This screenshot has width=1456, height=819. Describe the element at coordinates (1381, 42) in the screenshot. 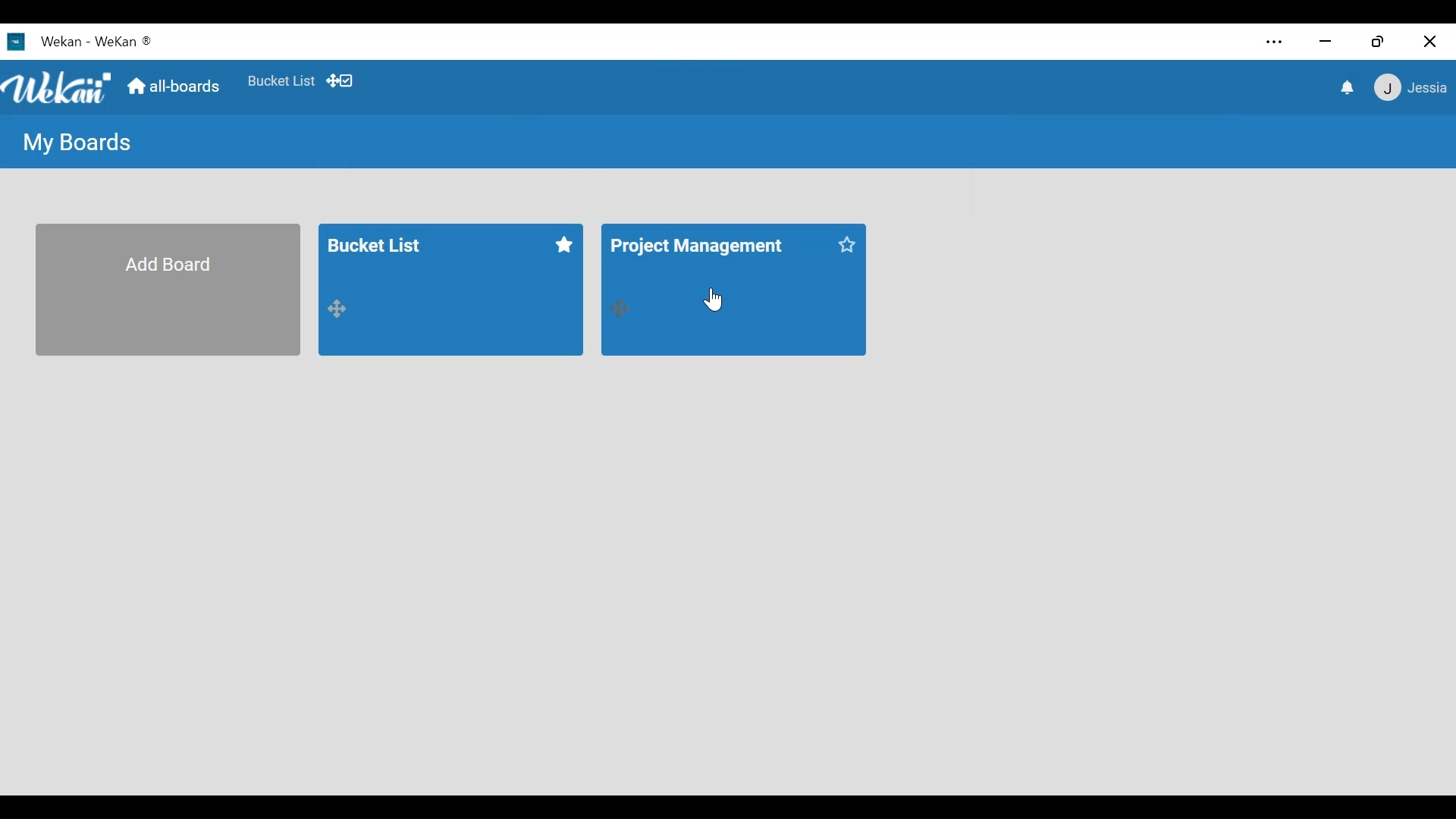

I see `restore` at that location.